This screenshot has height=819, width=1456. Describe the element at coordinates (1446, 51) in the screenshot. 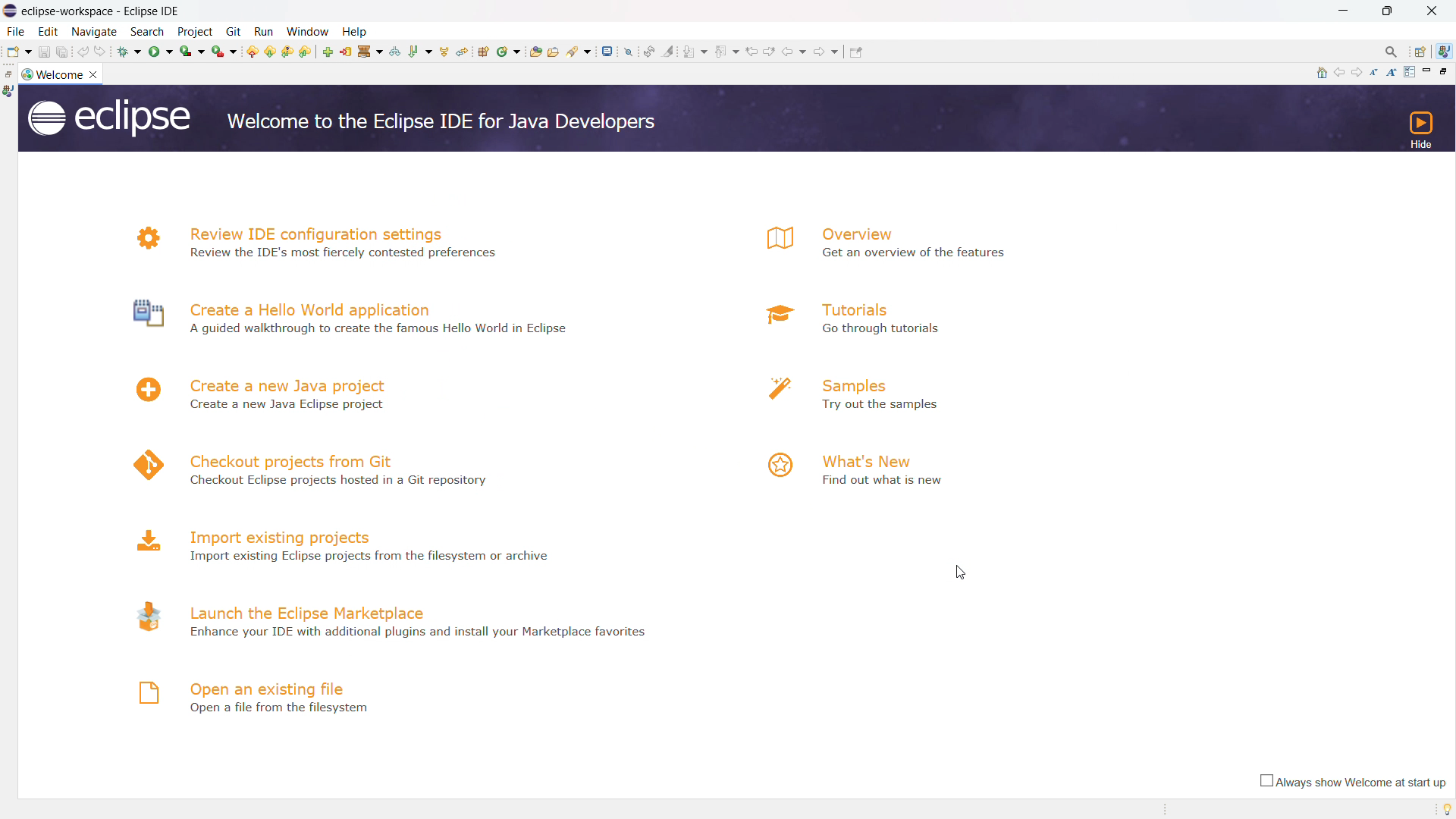

I see `java` at that location.